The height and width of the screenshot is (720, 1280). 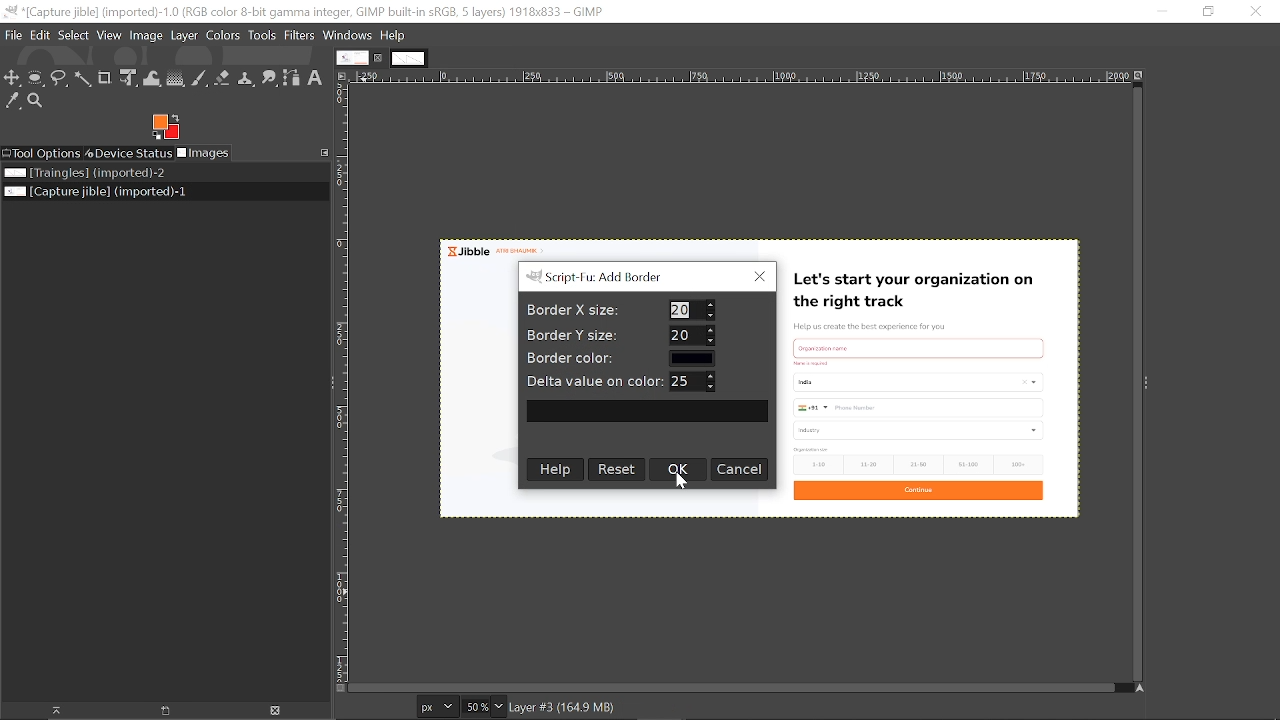 What do you see at coordinates (502, 251) in the screenshot?
I see `Jibble` at bounding box center [502, 251].